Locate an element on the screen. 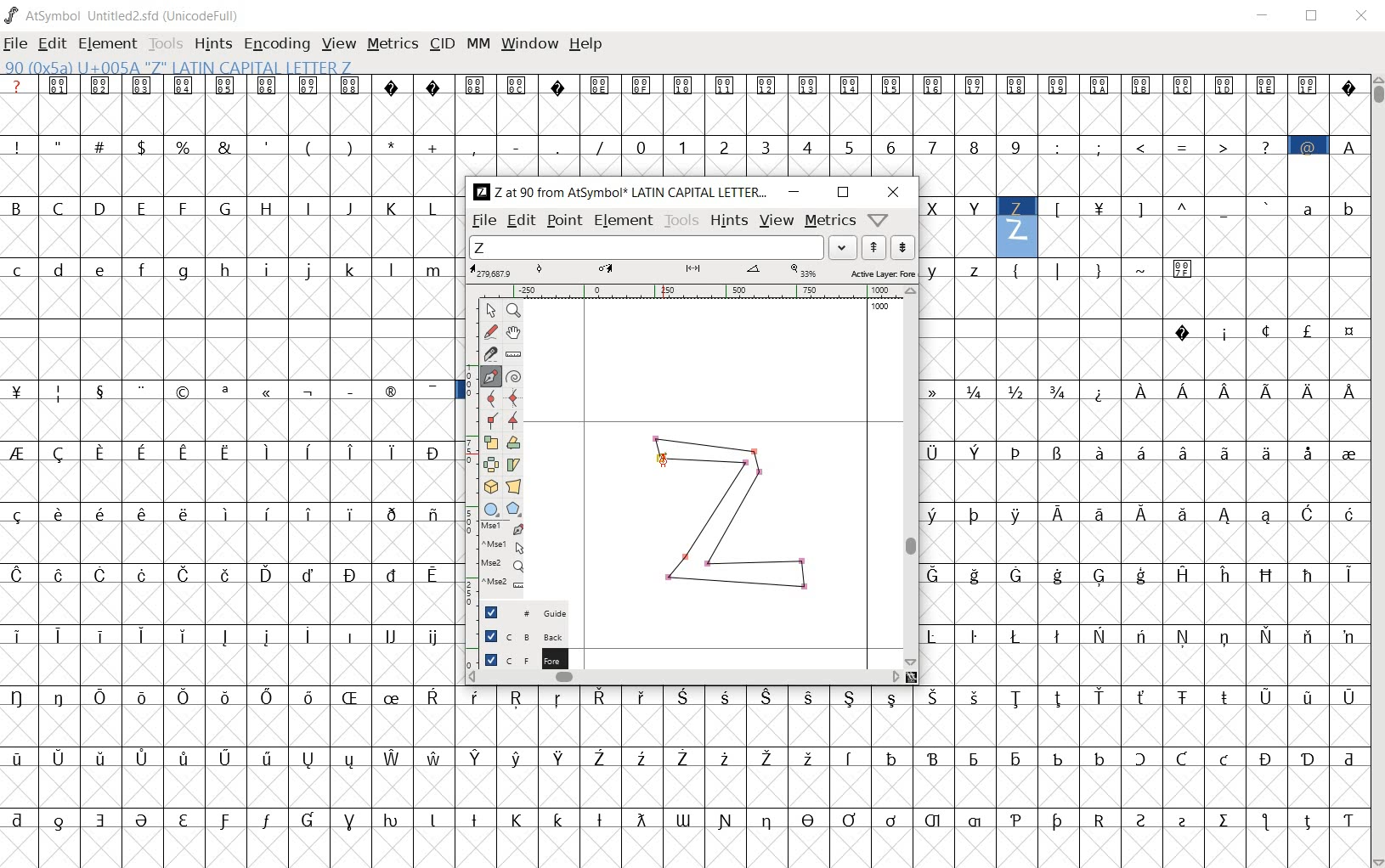  Active Layer: Fore is located at coordinates (692, 272).